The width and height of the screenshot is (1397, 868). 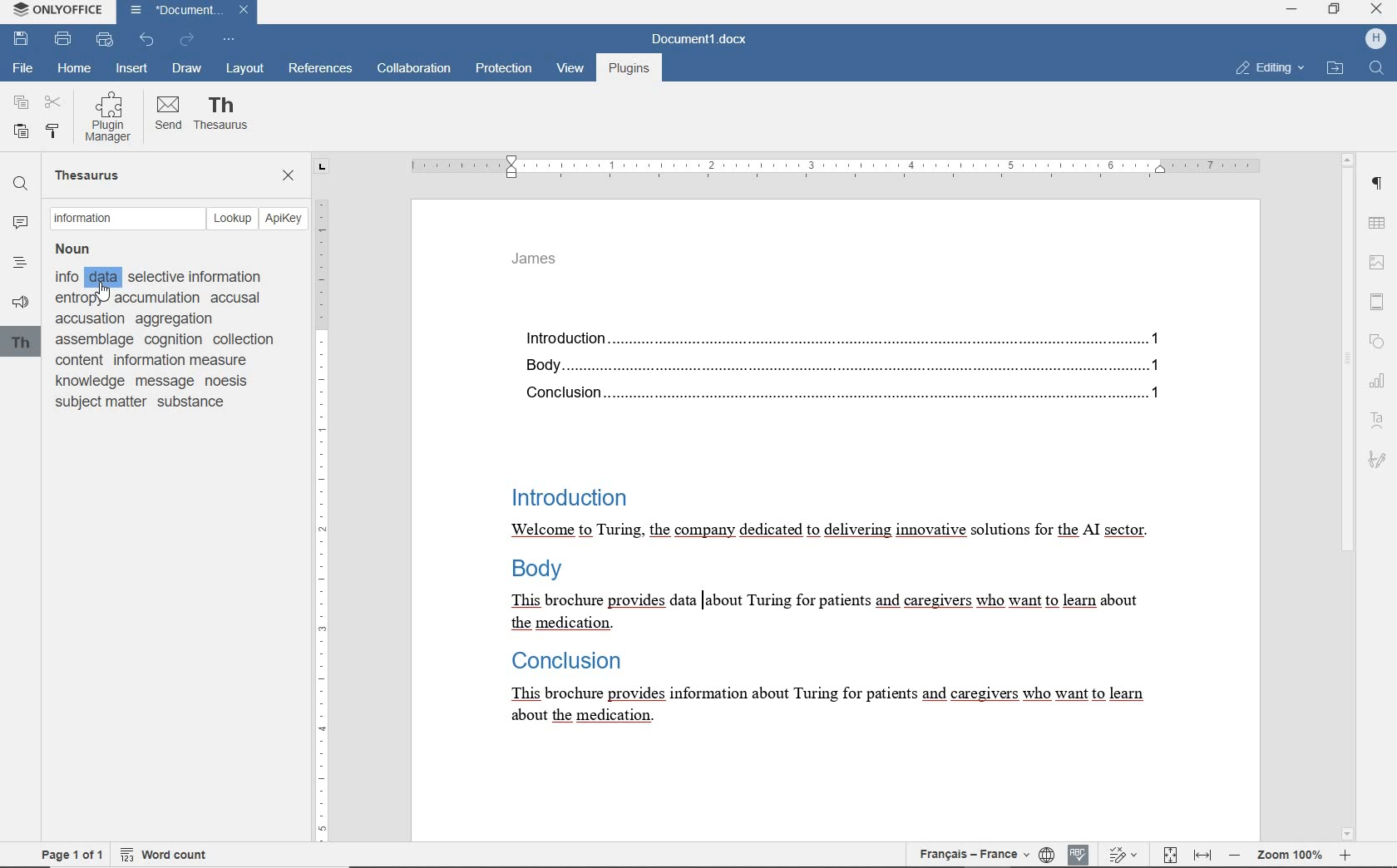 What do you see at coordinates (854, 367) in the screenshot?
I see `Body....1` at bounding box center [854, 367].